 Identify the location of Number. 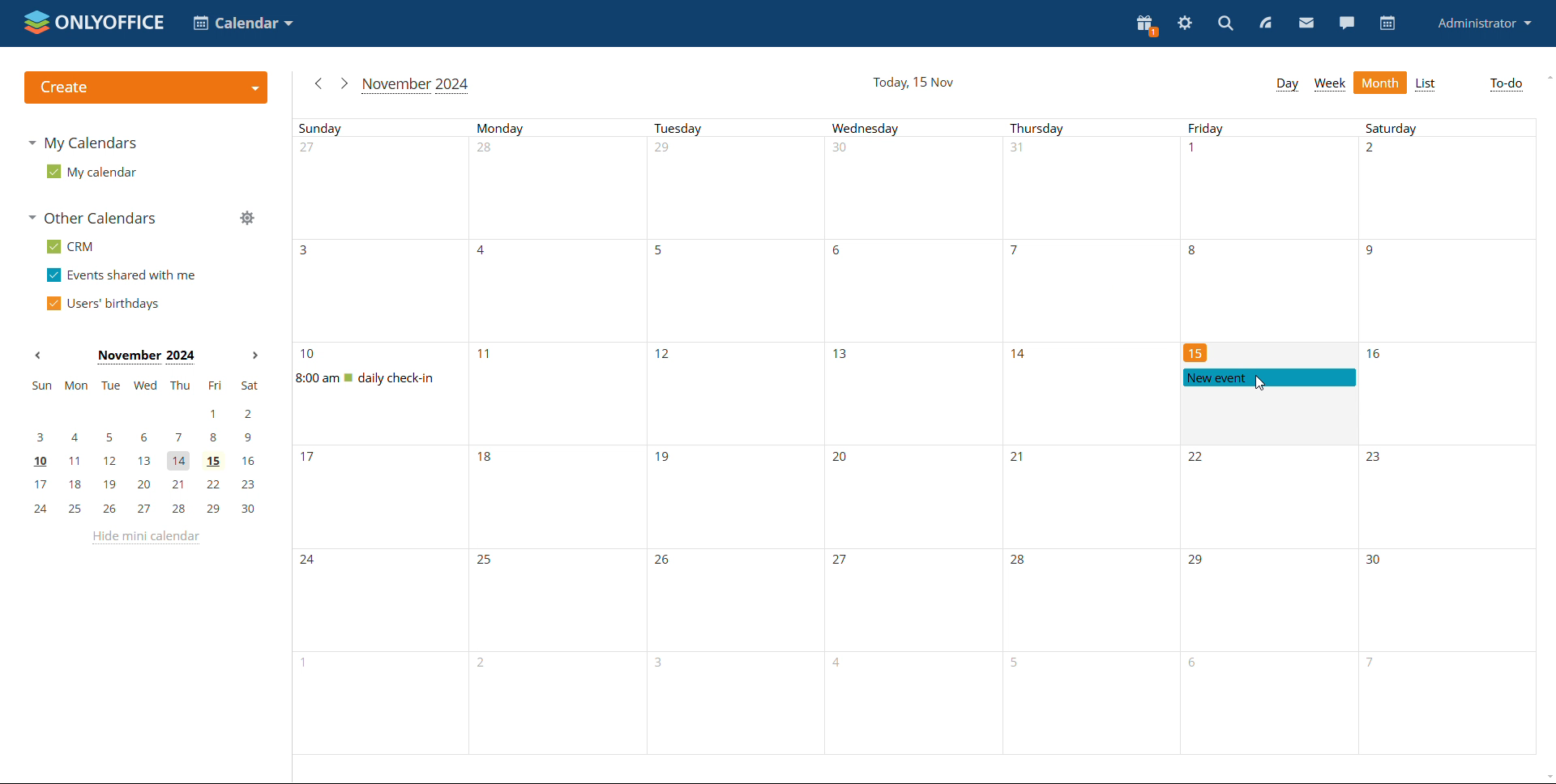
(1377, 354).